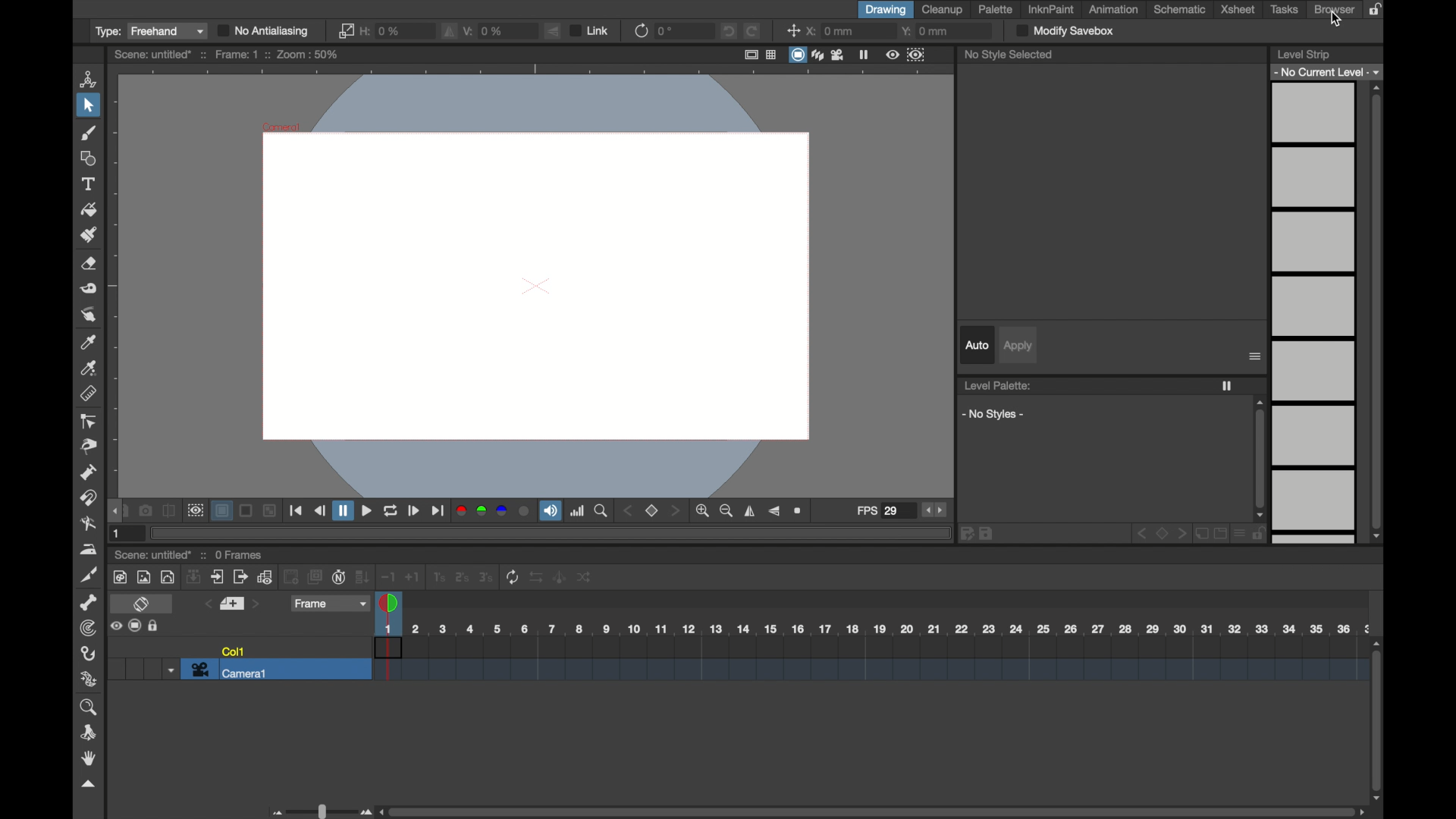  I want to click on v, so click(485, 30).